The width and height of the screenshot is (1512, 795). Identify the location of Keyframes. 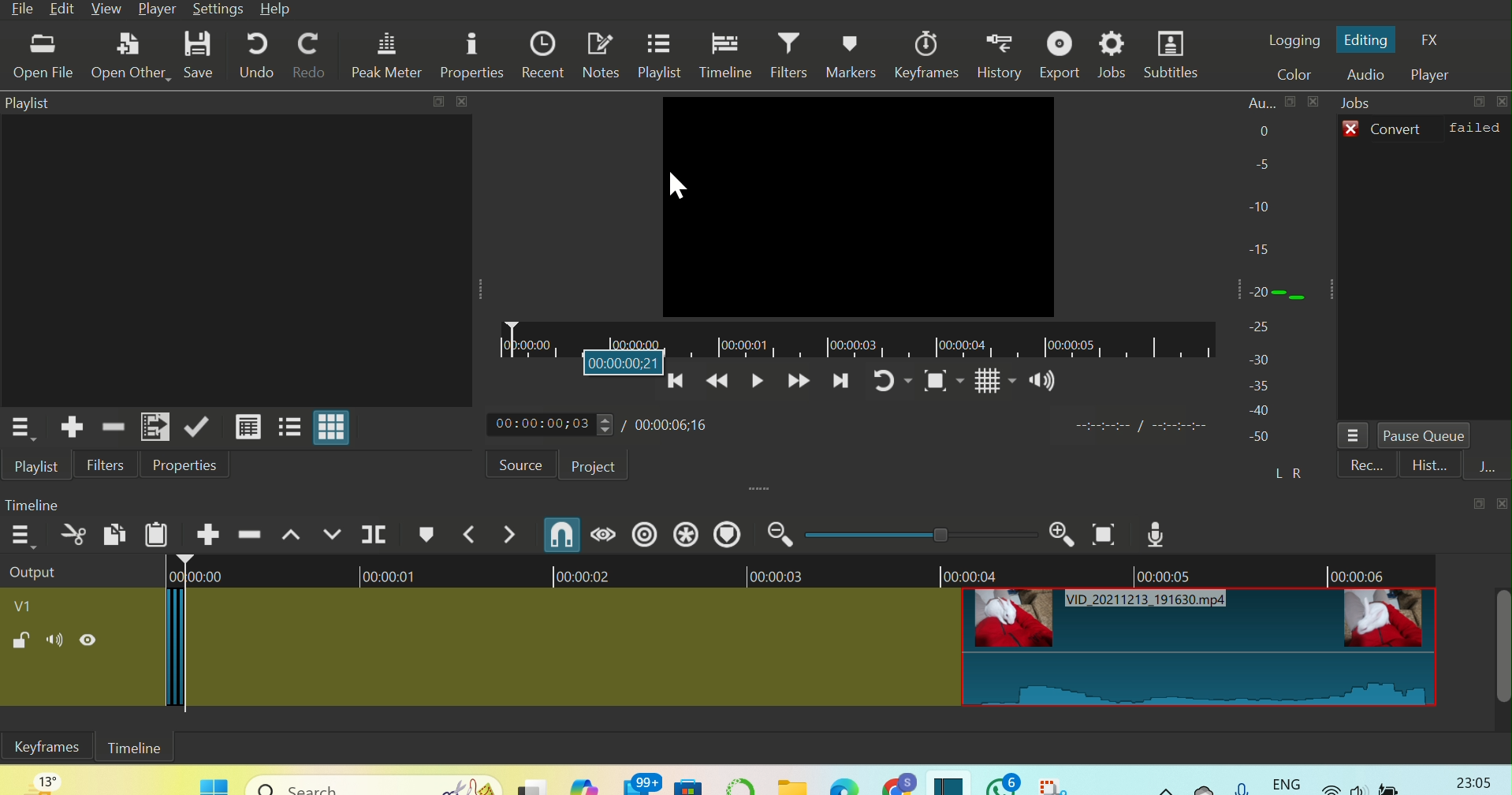
(51, 748).